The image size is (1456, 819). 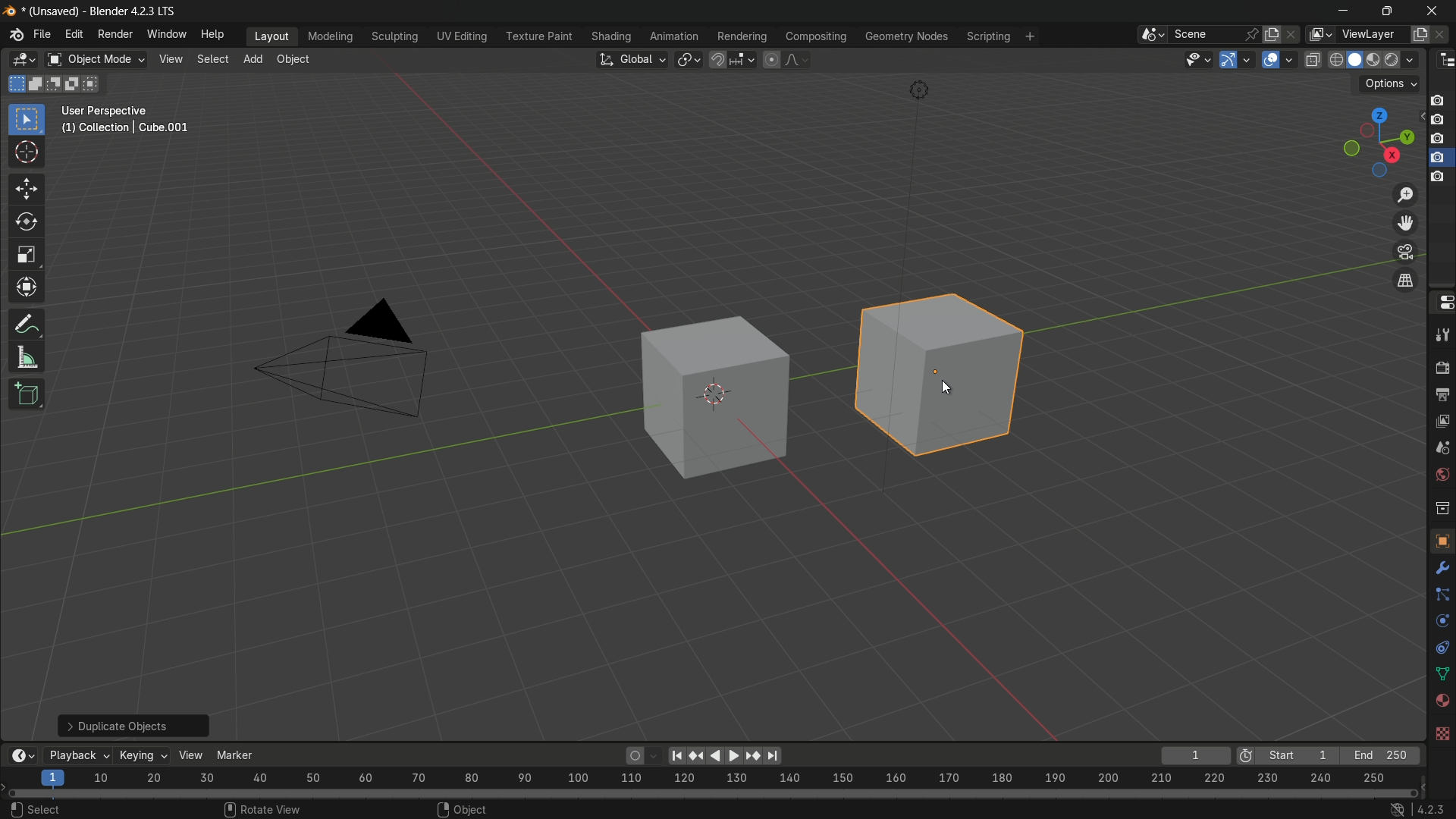 What do you see at coordinates (55, 83) in the screenshot?
I see `subtract existing selection` at bounding box center [55, 83].